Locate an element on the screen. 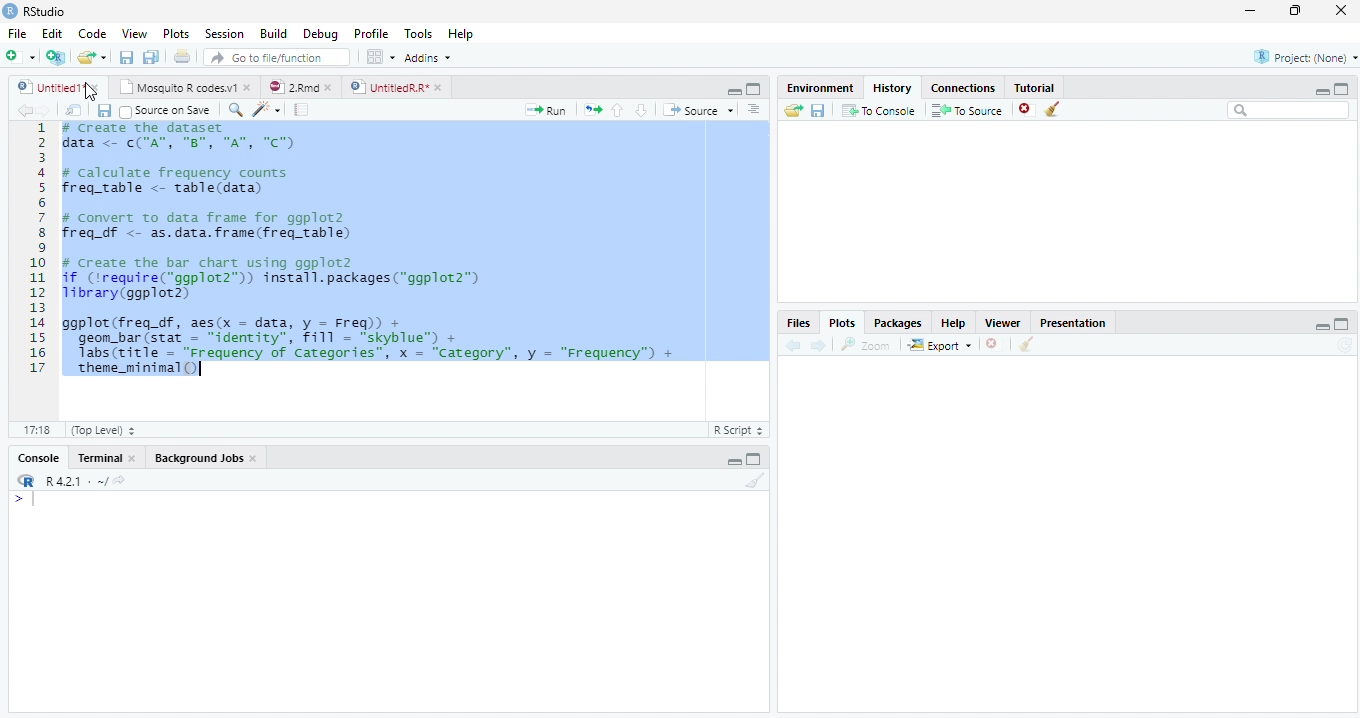  Help  is located at coordinates (959, 324).